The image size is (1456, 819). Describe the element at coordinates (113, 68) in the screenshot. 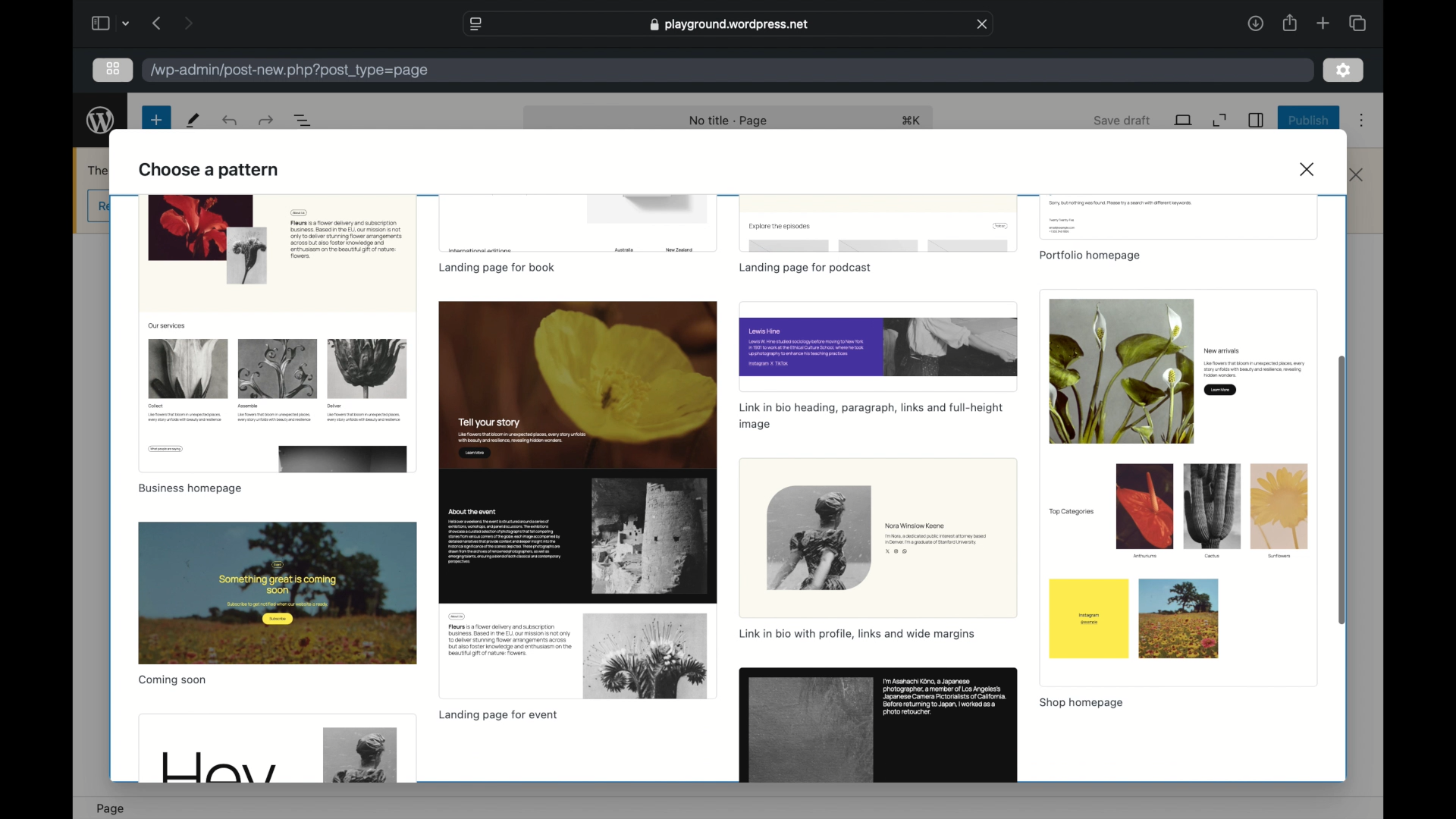

I see `grid view` at that location.